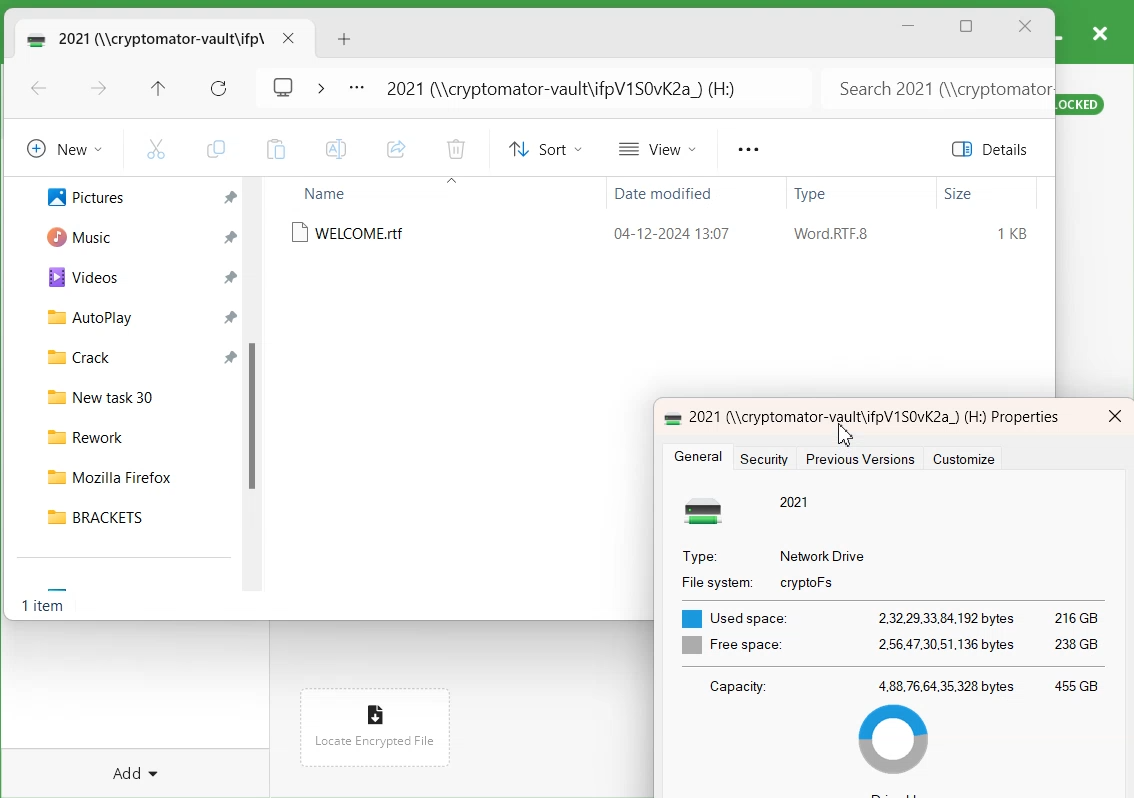 The width and height of the screenshot is (1134, 798). I want to click on Paste, so click(275, 149).